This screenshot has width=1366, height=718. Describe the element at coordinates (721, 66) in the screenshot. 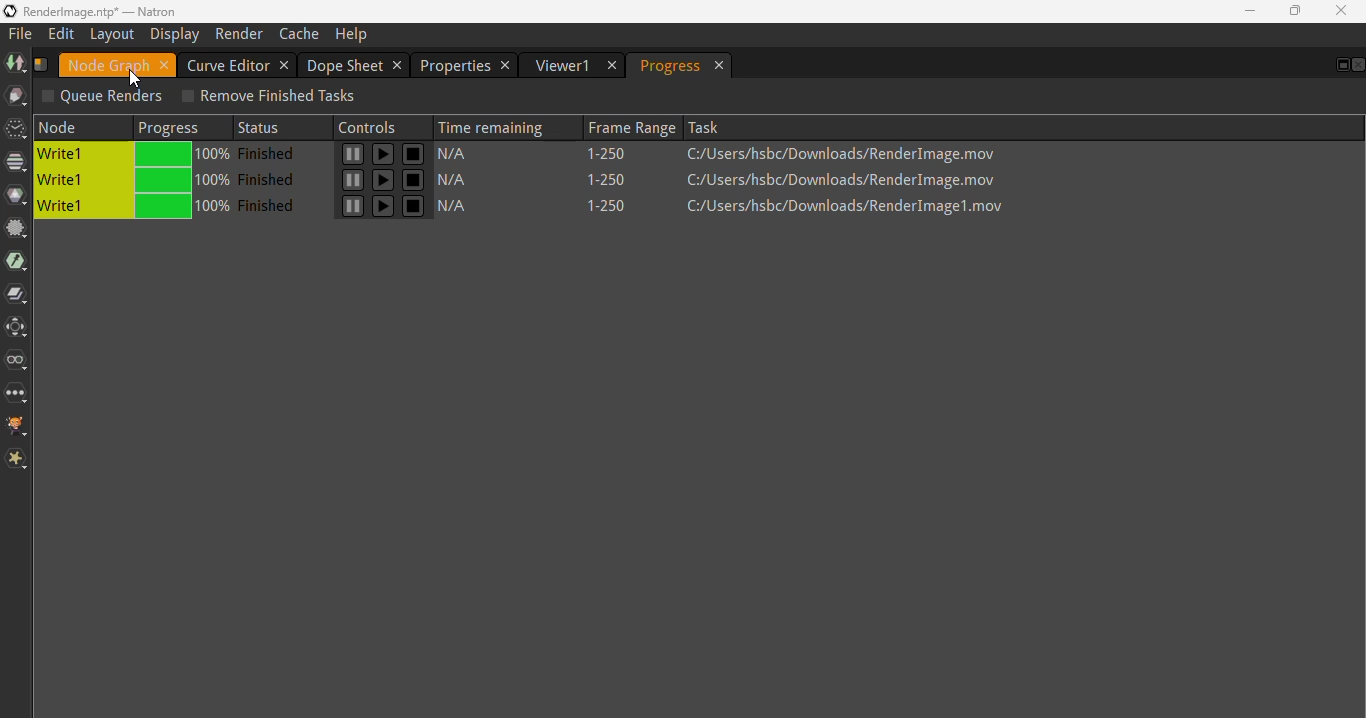

I see `close tab` at that location.